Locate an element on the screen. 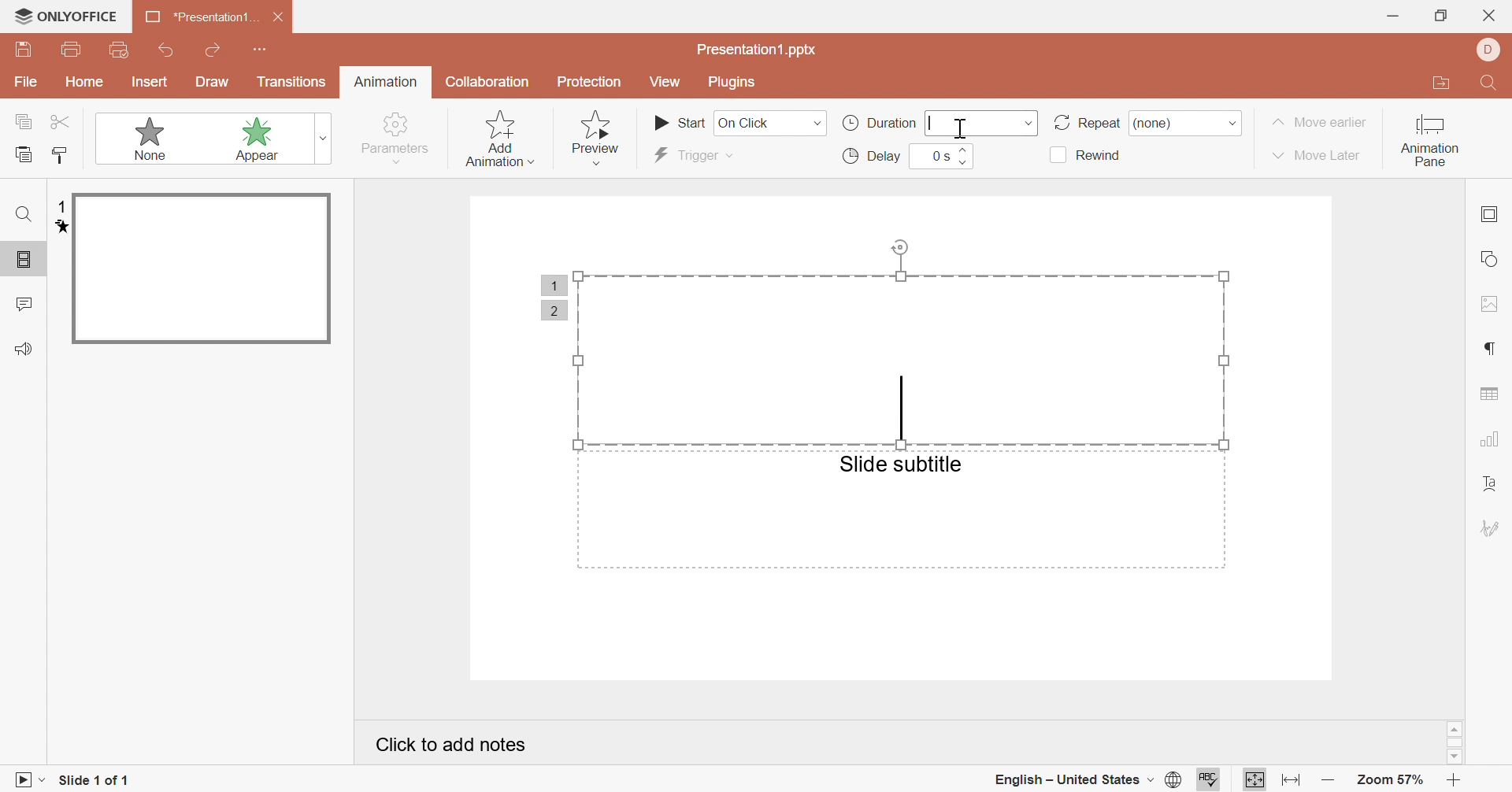 This screenshot has height=792, width=1512. find is located at coordinates (1492, 83).